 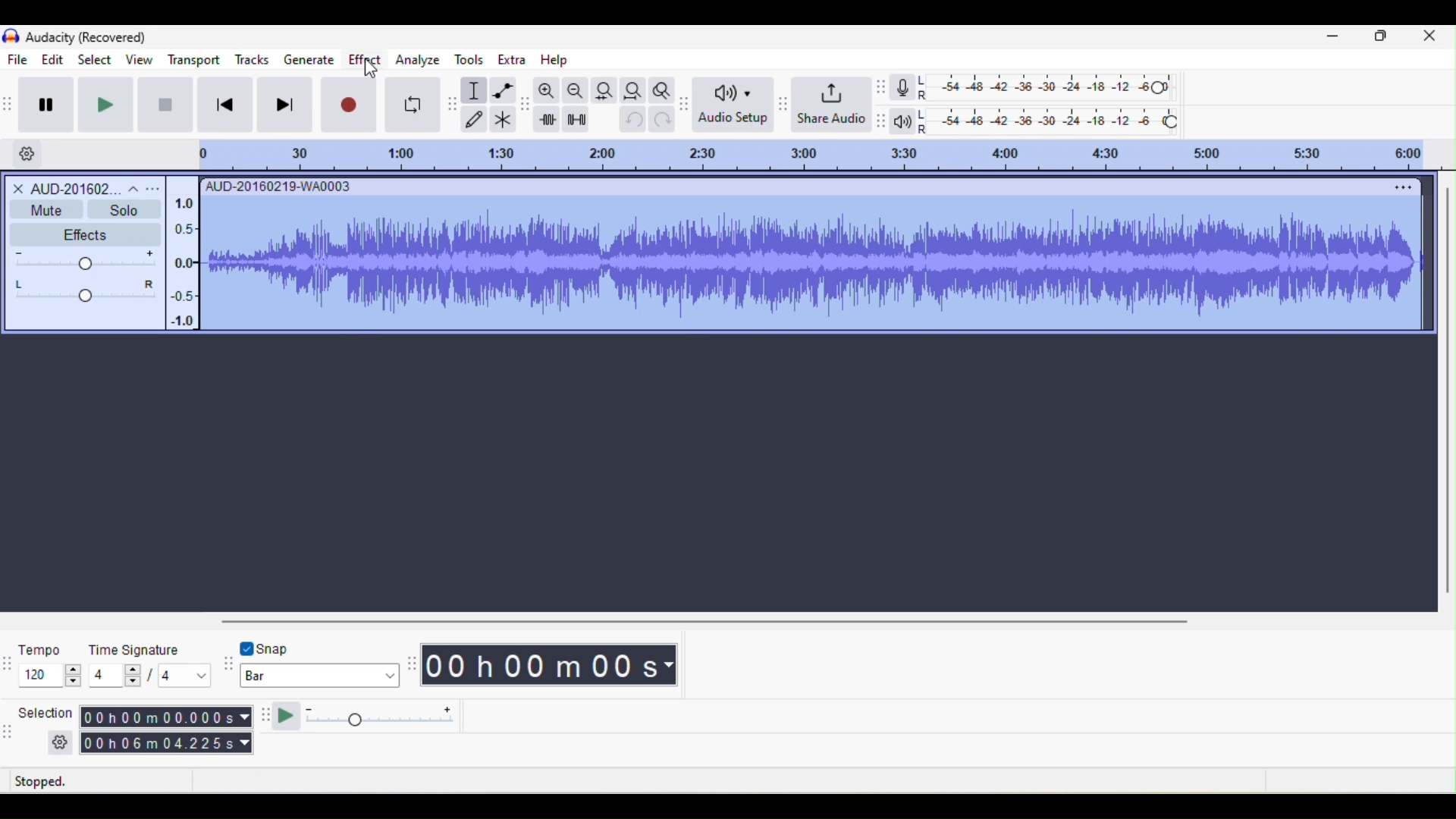 What do you see at coordinates (226, 666) in the screenshot?
I see `audacity snapping toolbar` at bounding box center [226, 666].